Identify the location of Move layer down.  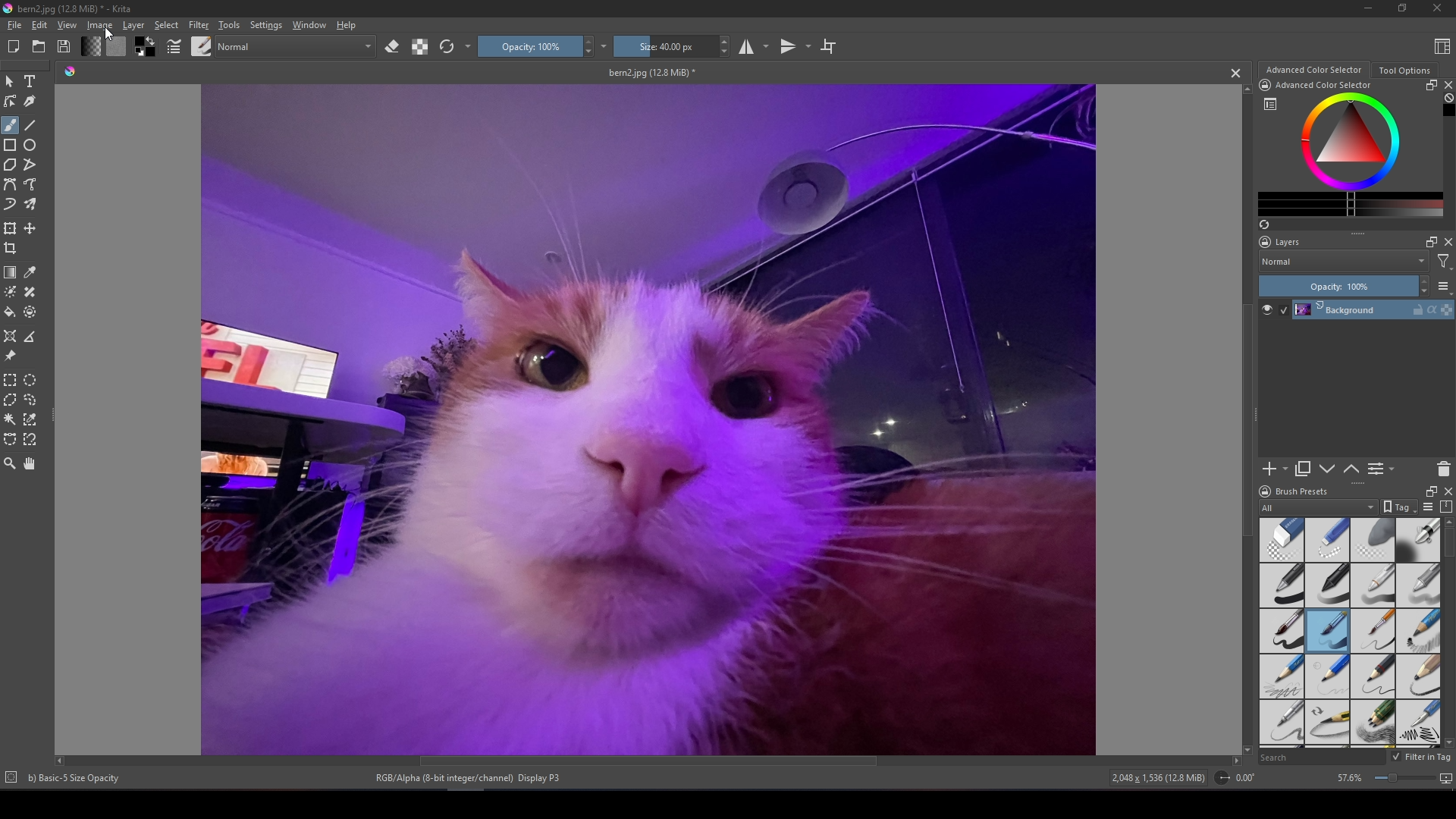
(1352, 469).